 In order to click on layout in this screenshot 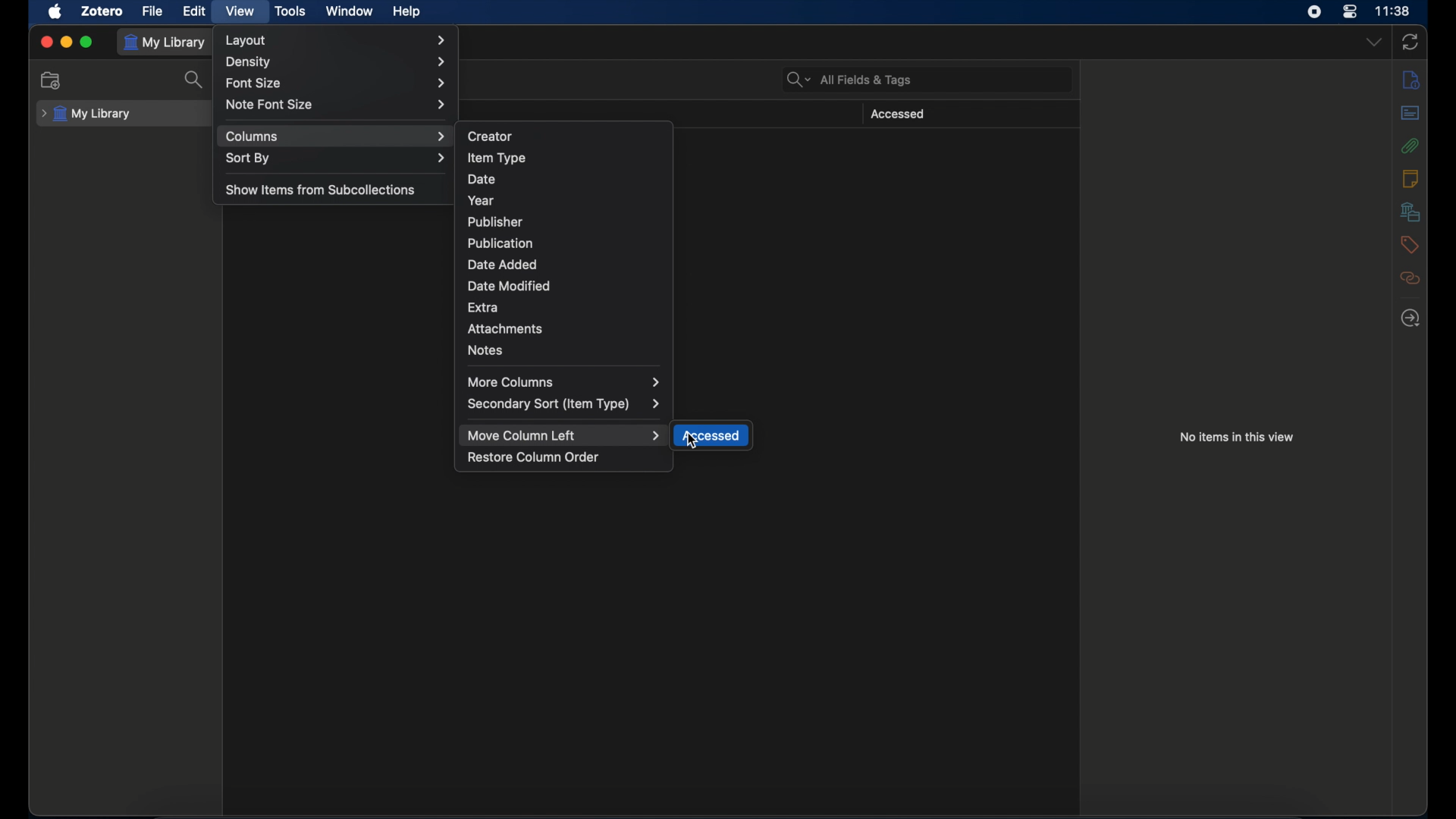, I will do `click(336, 40)`.